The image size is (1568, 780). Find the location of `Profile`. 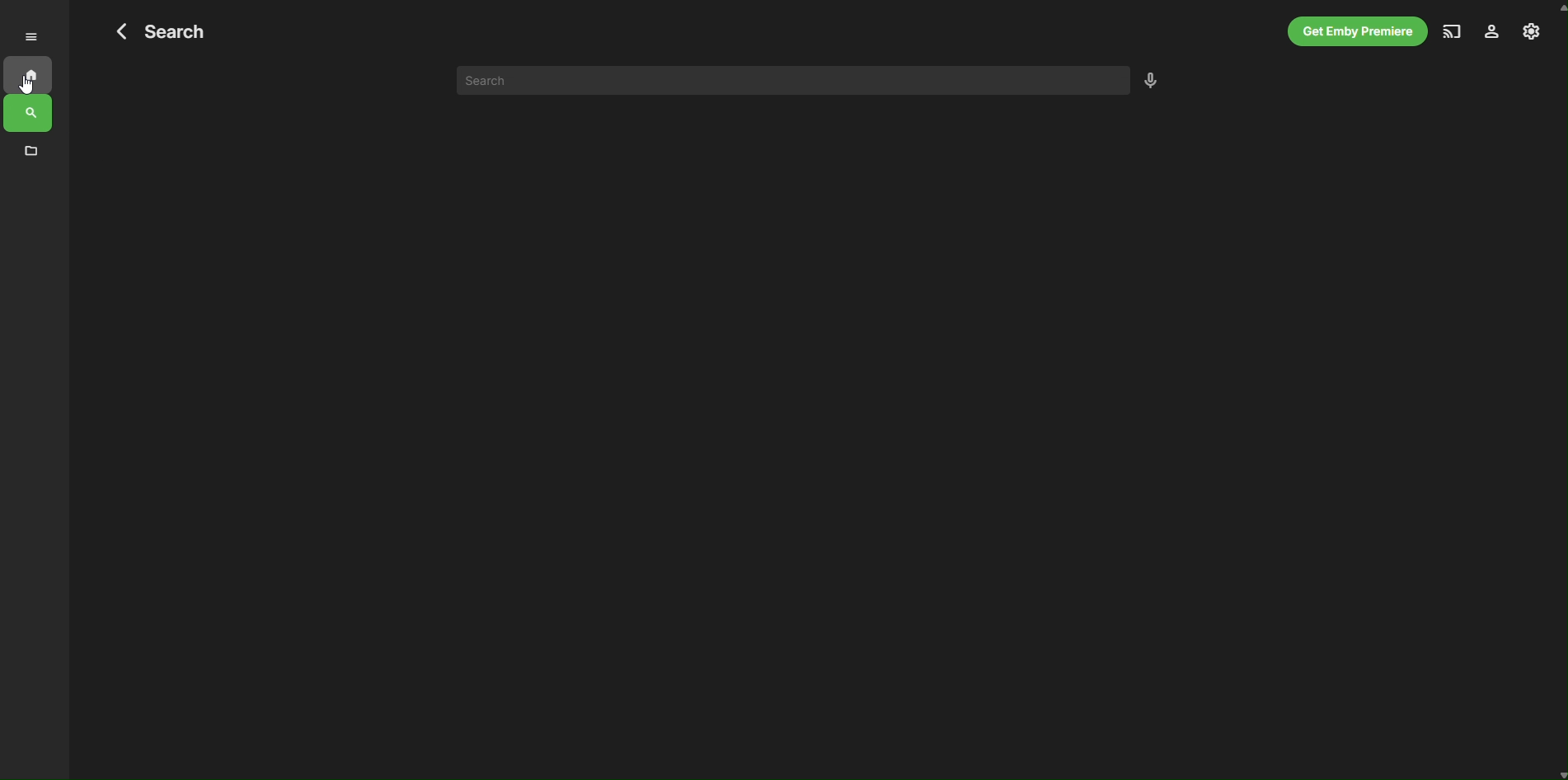

Profile is located at coordinates (1492, 35).